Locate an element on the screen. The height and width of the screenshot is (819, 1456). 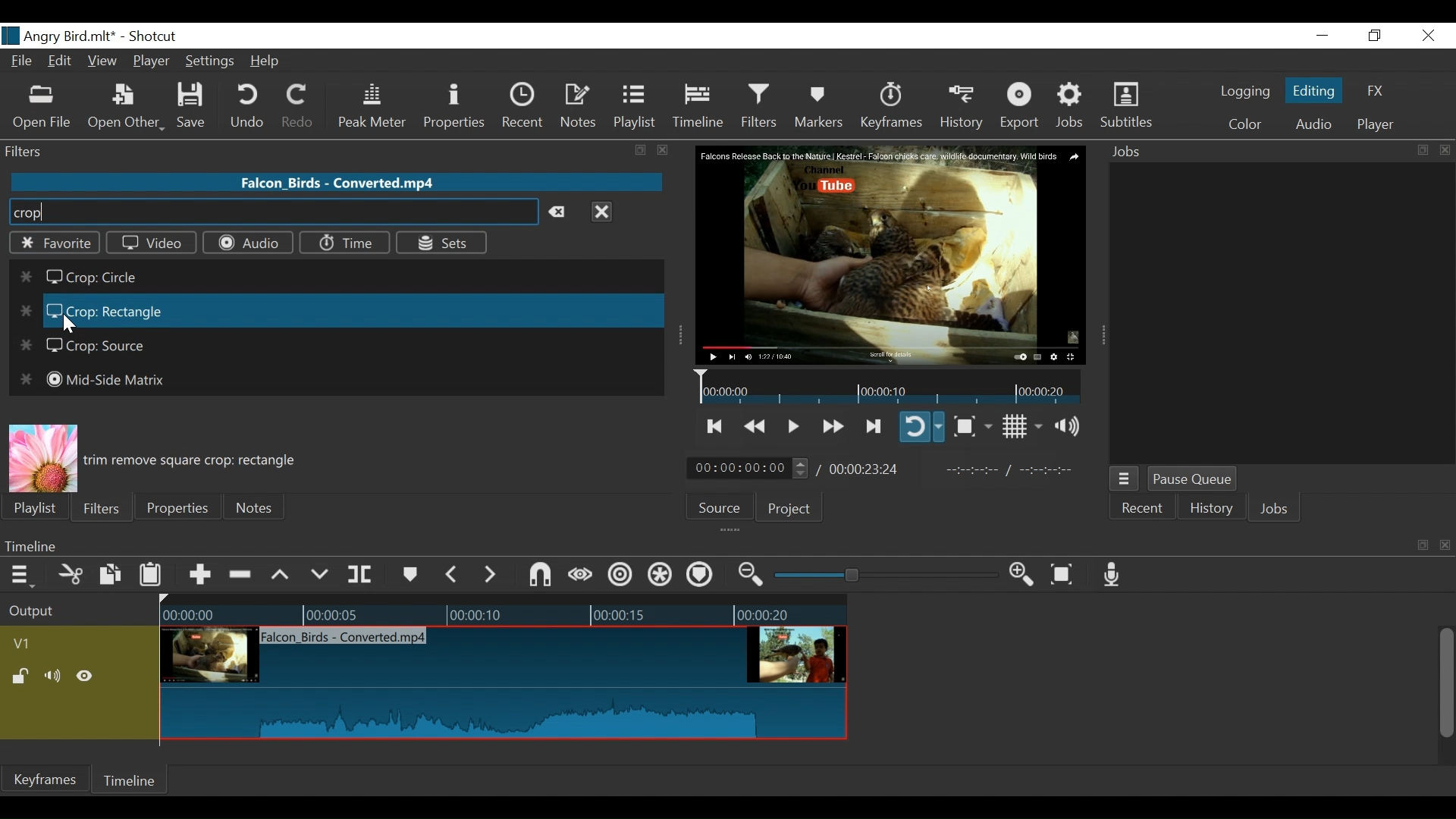
Output is located at coordinates (77, 612).